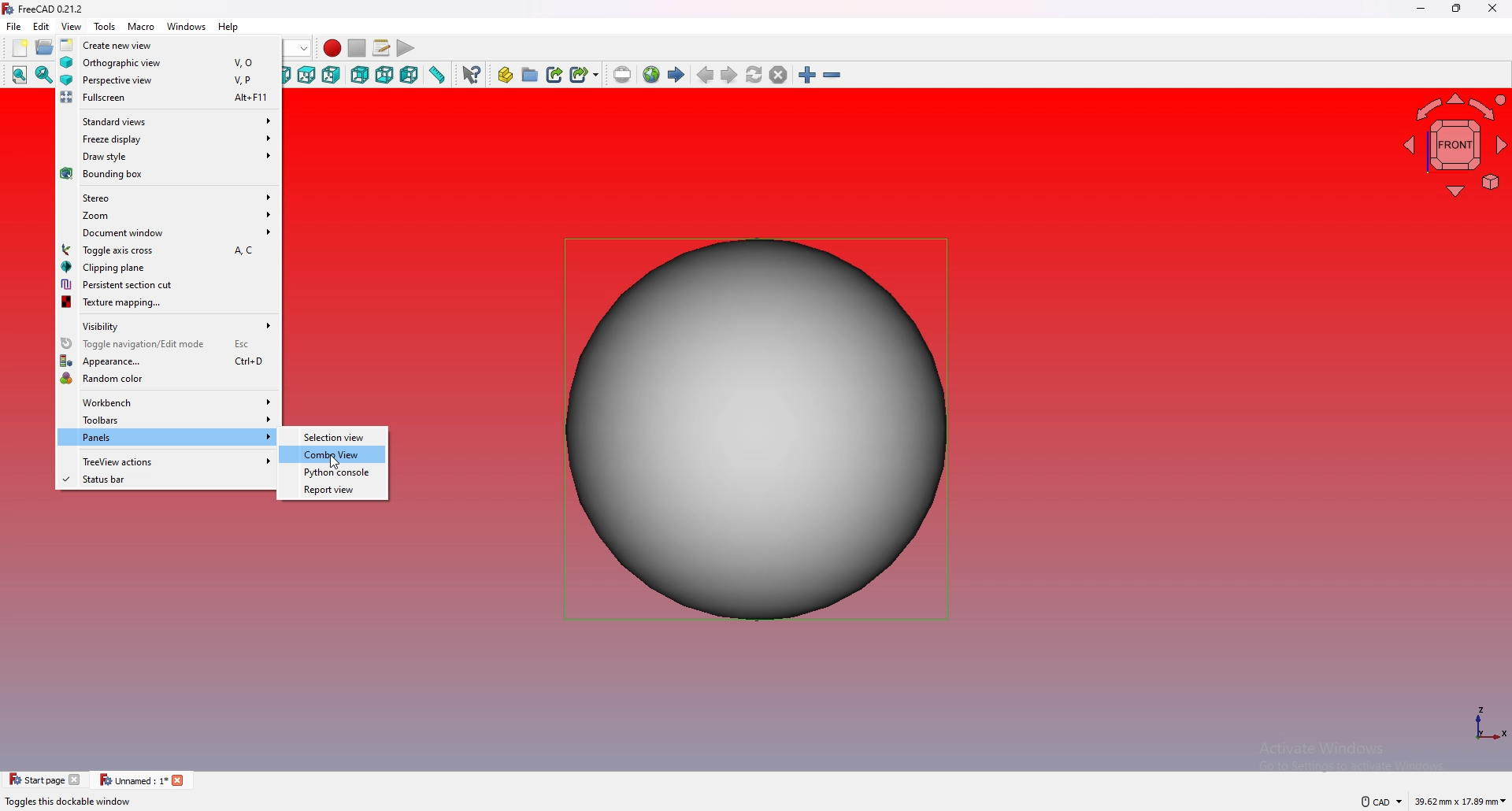 The image size is (1512, 811). What do you see at coordinates (169, 44) in the screenshot?
I see `create new view` at bounding box center [169, 44].